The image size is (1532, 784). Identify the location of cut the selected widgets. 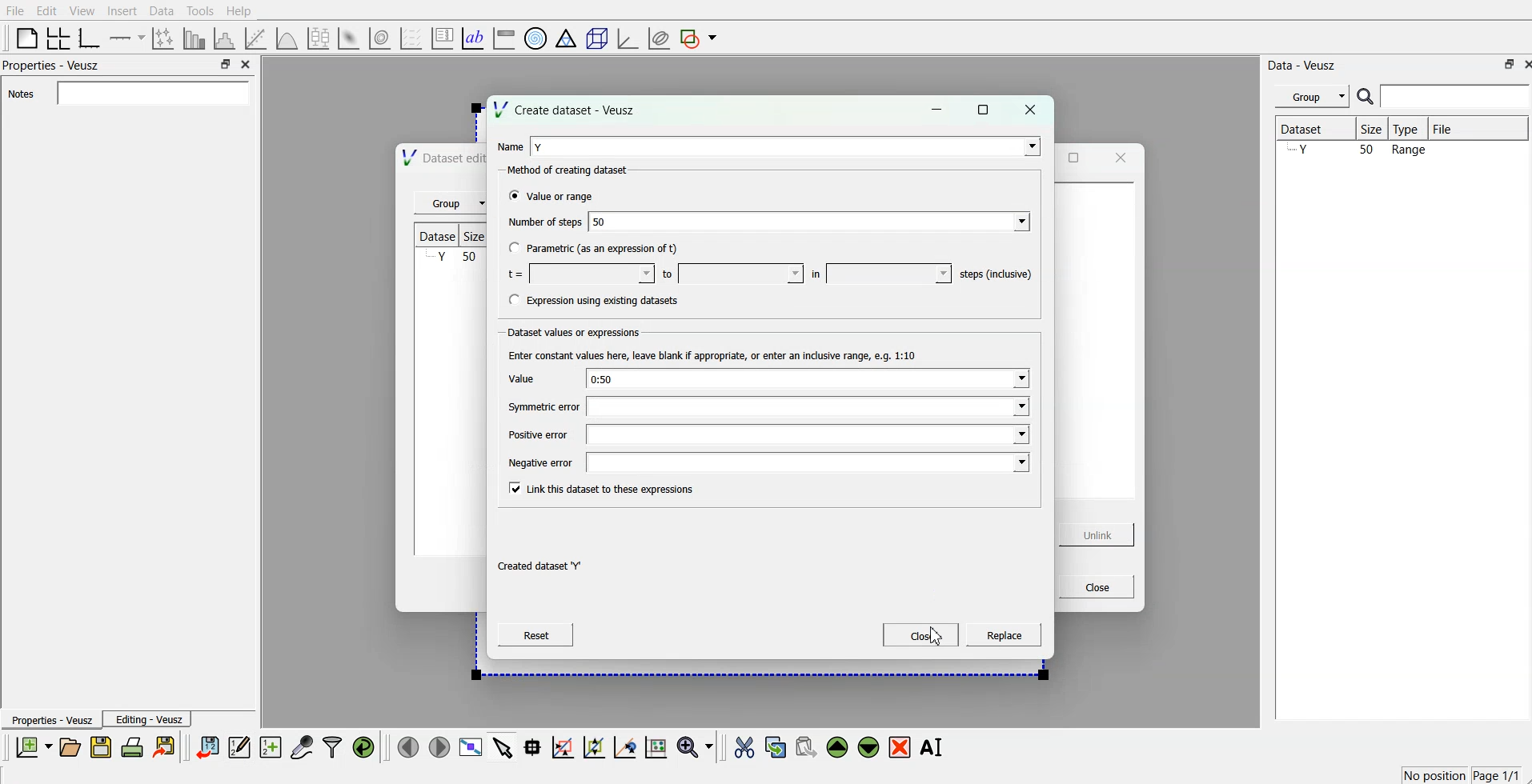
(746, 747).